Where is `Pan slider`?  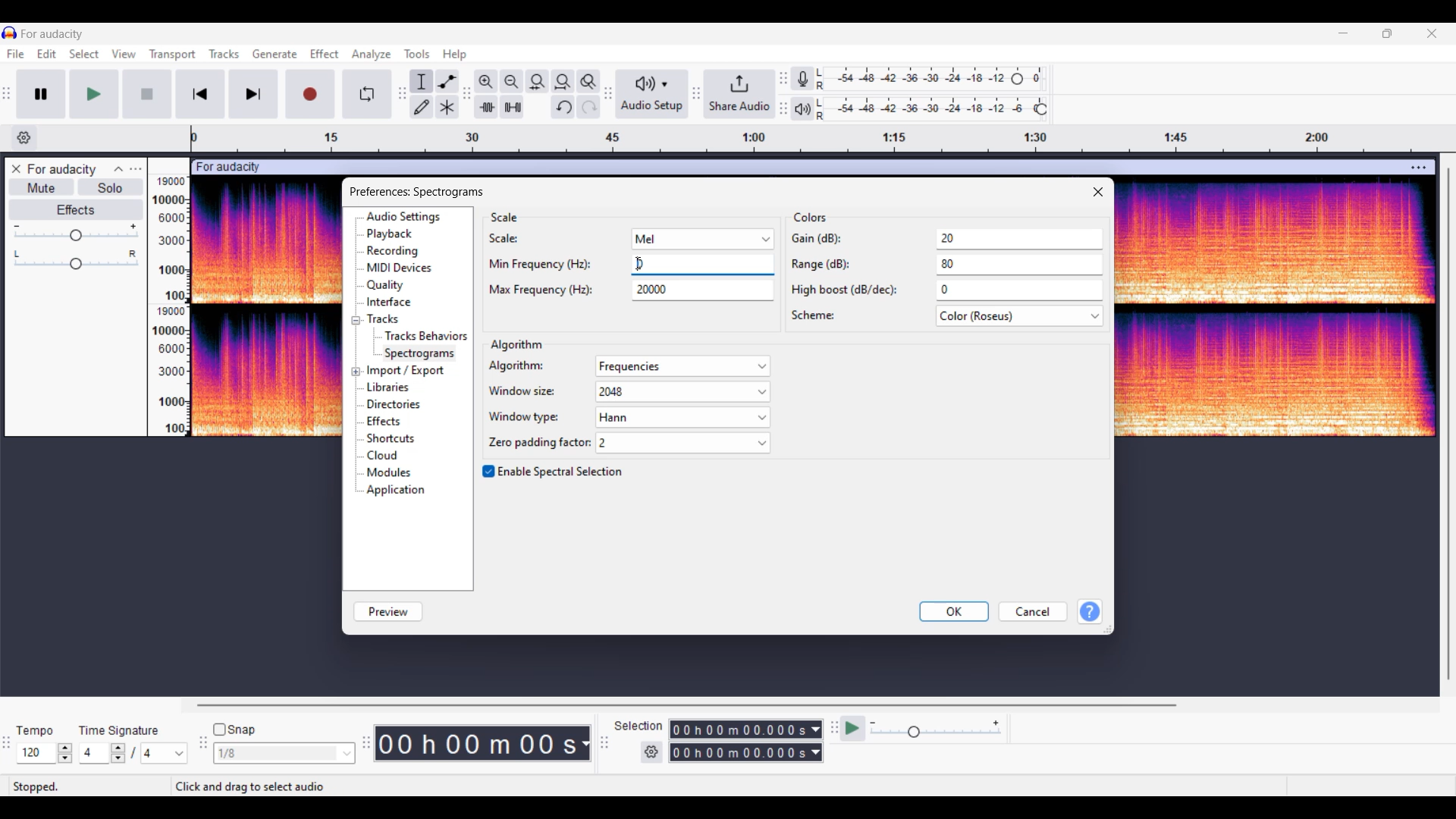 Pan slider is located at coordinates (76, 260).